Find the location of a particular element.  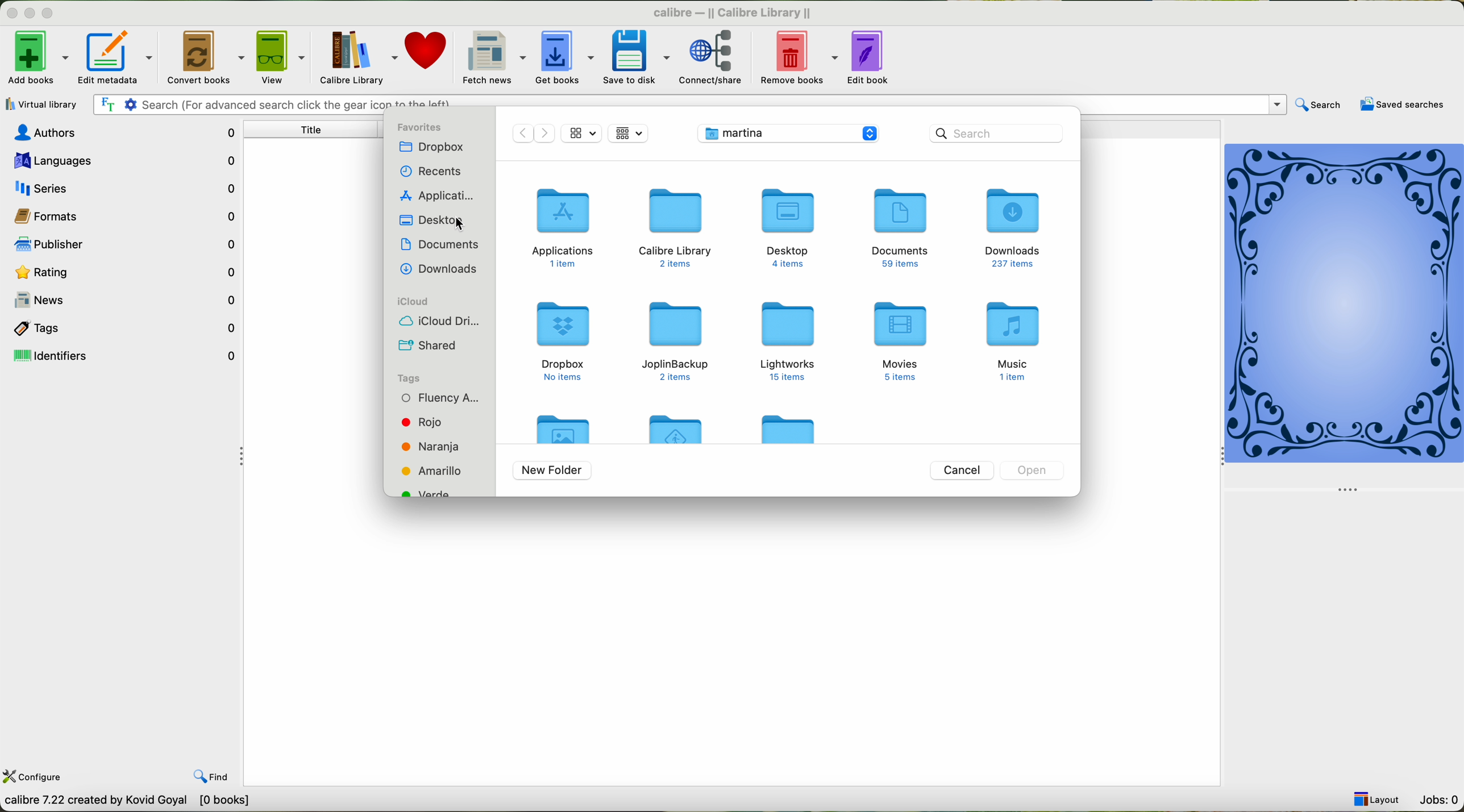

title is located at coordinates (314, 131).